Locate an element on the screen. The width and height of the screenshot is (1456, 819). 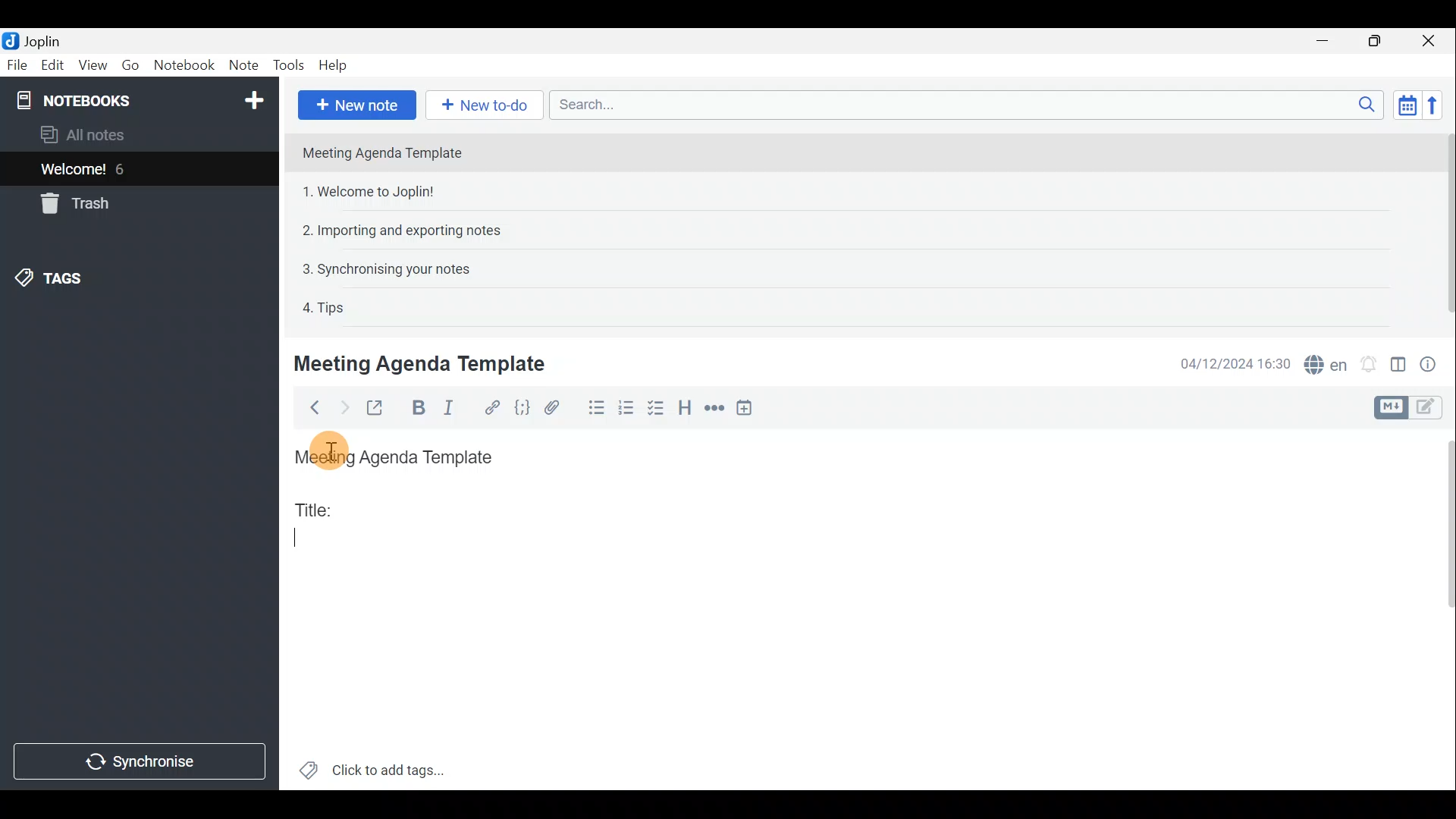
Spell checker is located at coordinates (1327, 362).